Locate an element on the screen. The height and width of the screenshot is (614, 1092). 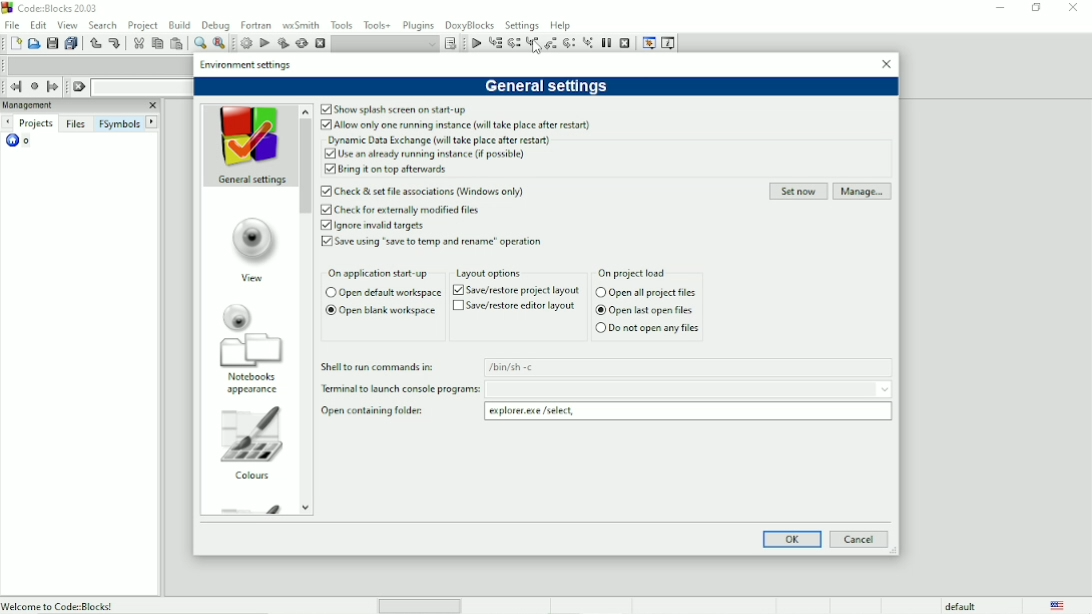
Next line is located at coordinates (513, 44).